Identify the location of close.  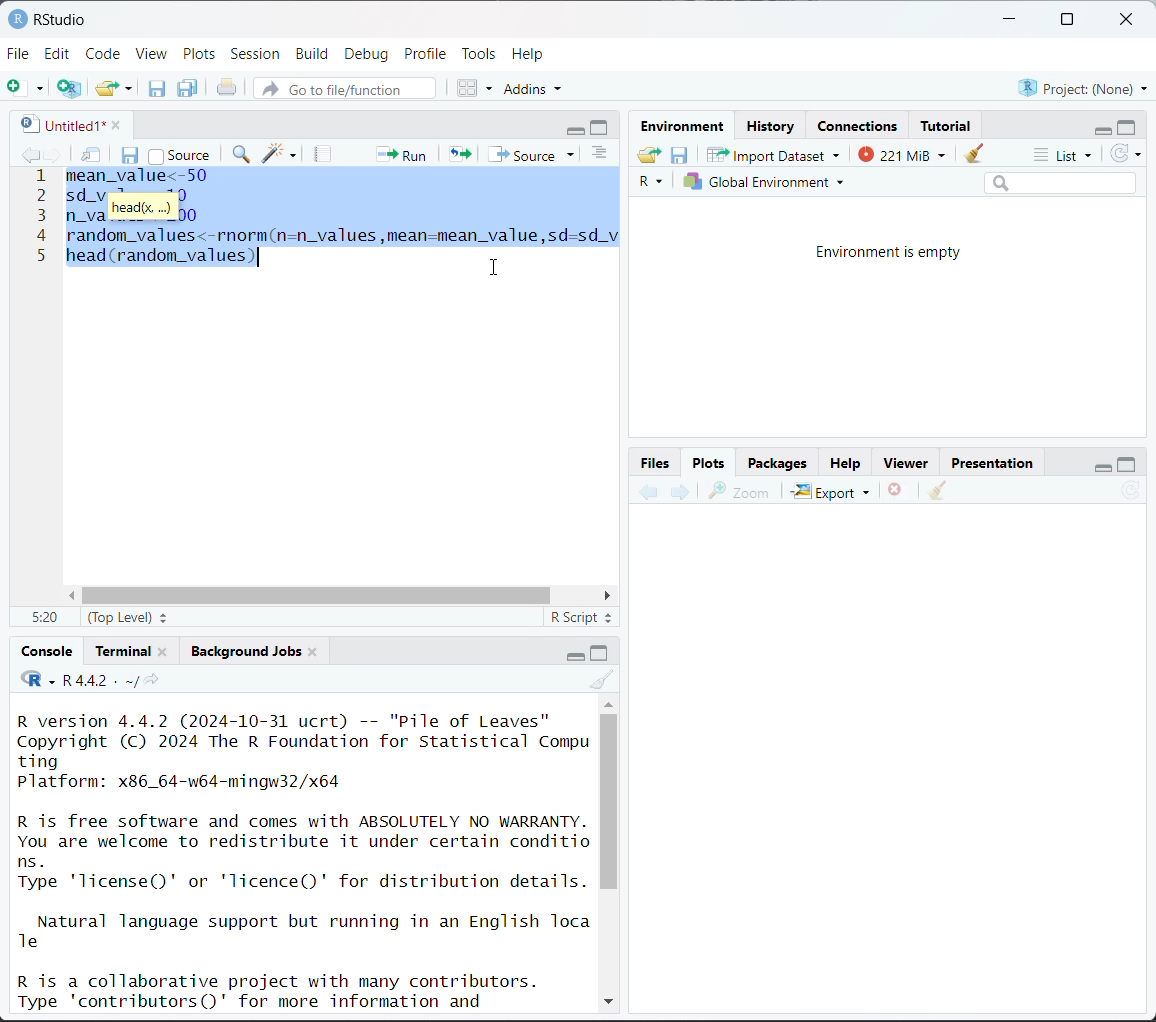
(1130, 20).